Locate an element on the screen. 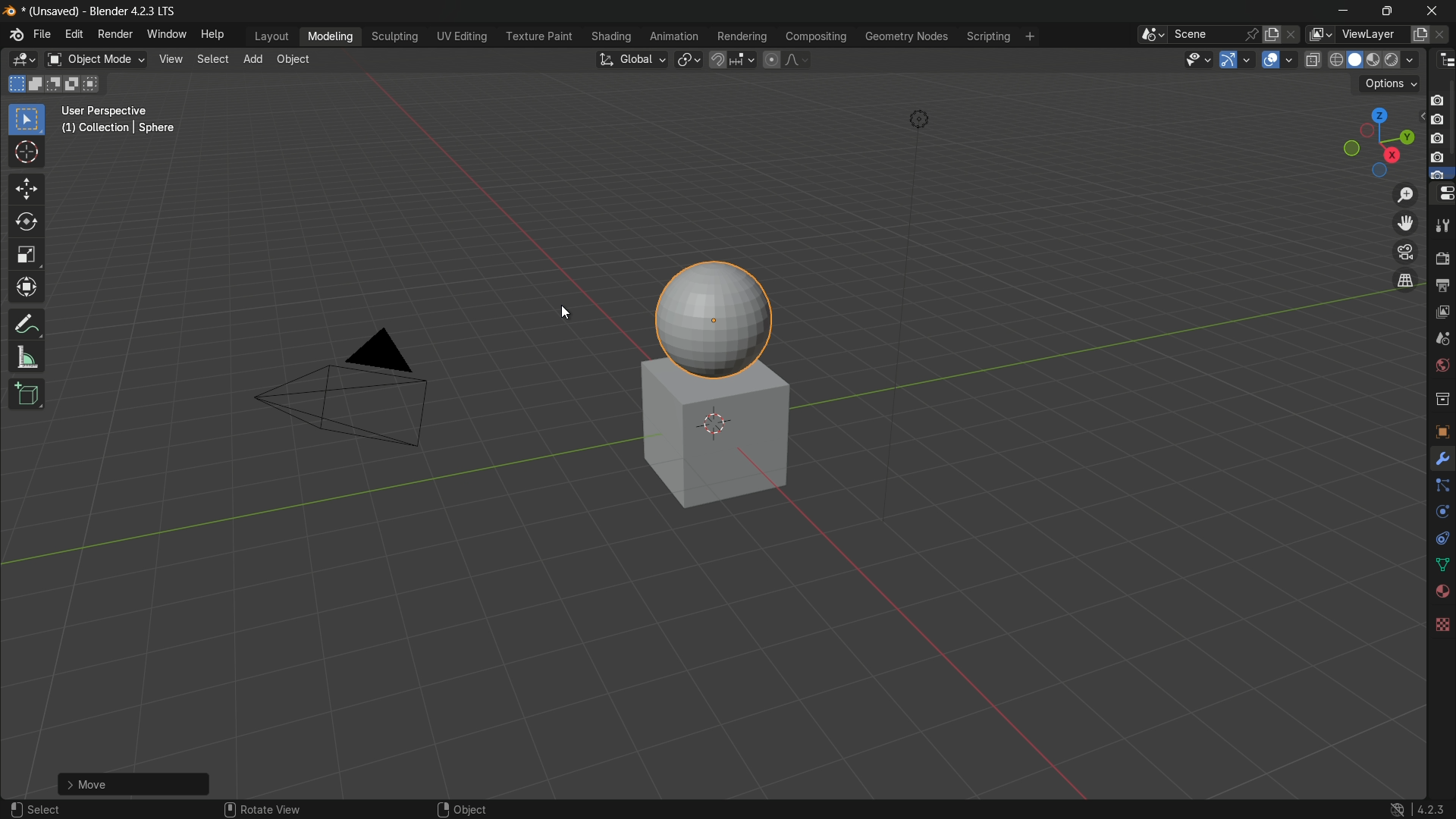  Vertex Groups is located at coordinates (1442, 589).